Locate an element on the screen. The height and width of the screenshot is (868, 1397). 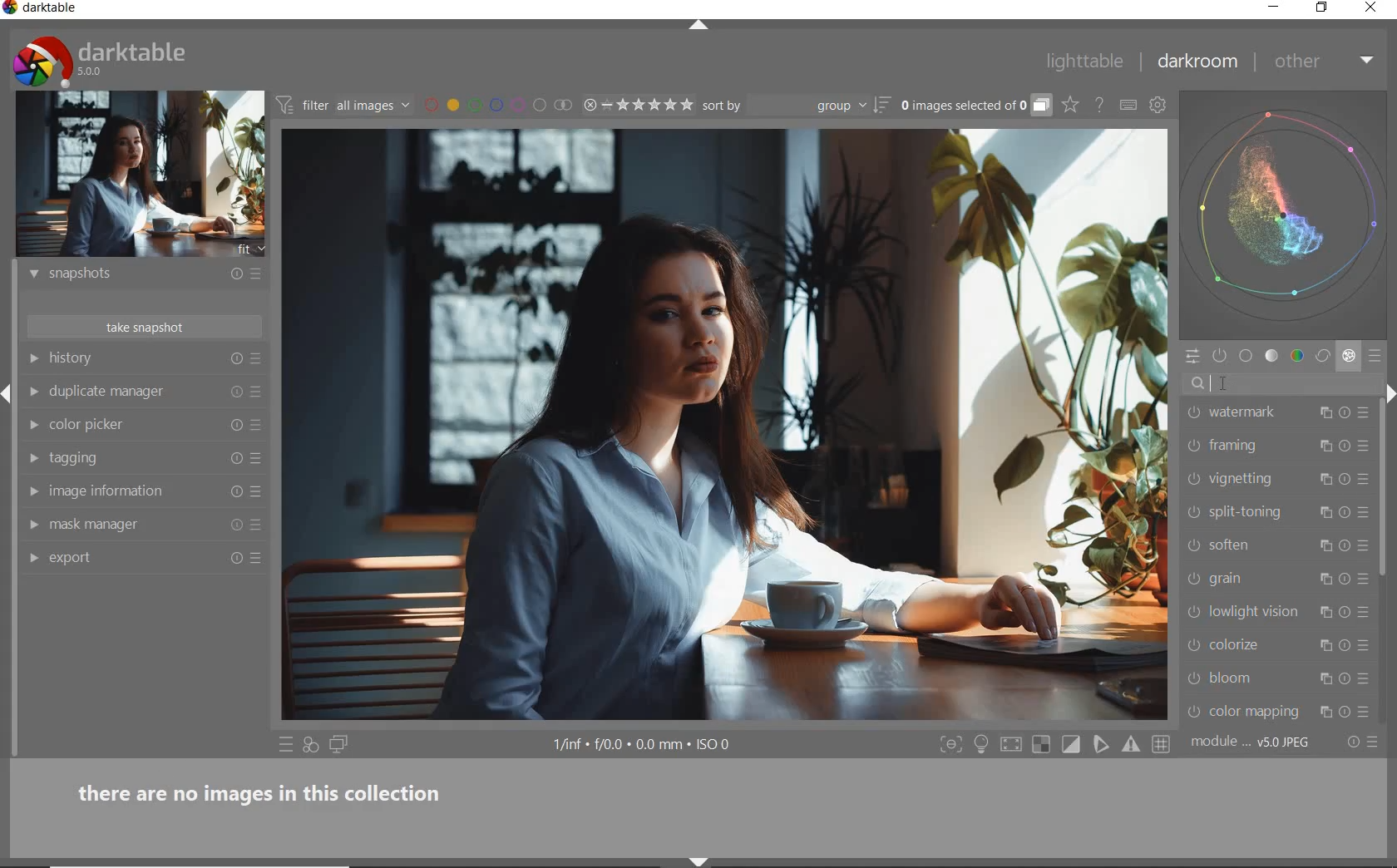
selected image is located at coordinates (723, 426).